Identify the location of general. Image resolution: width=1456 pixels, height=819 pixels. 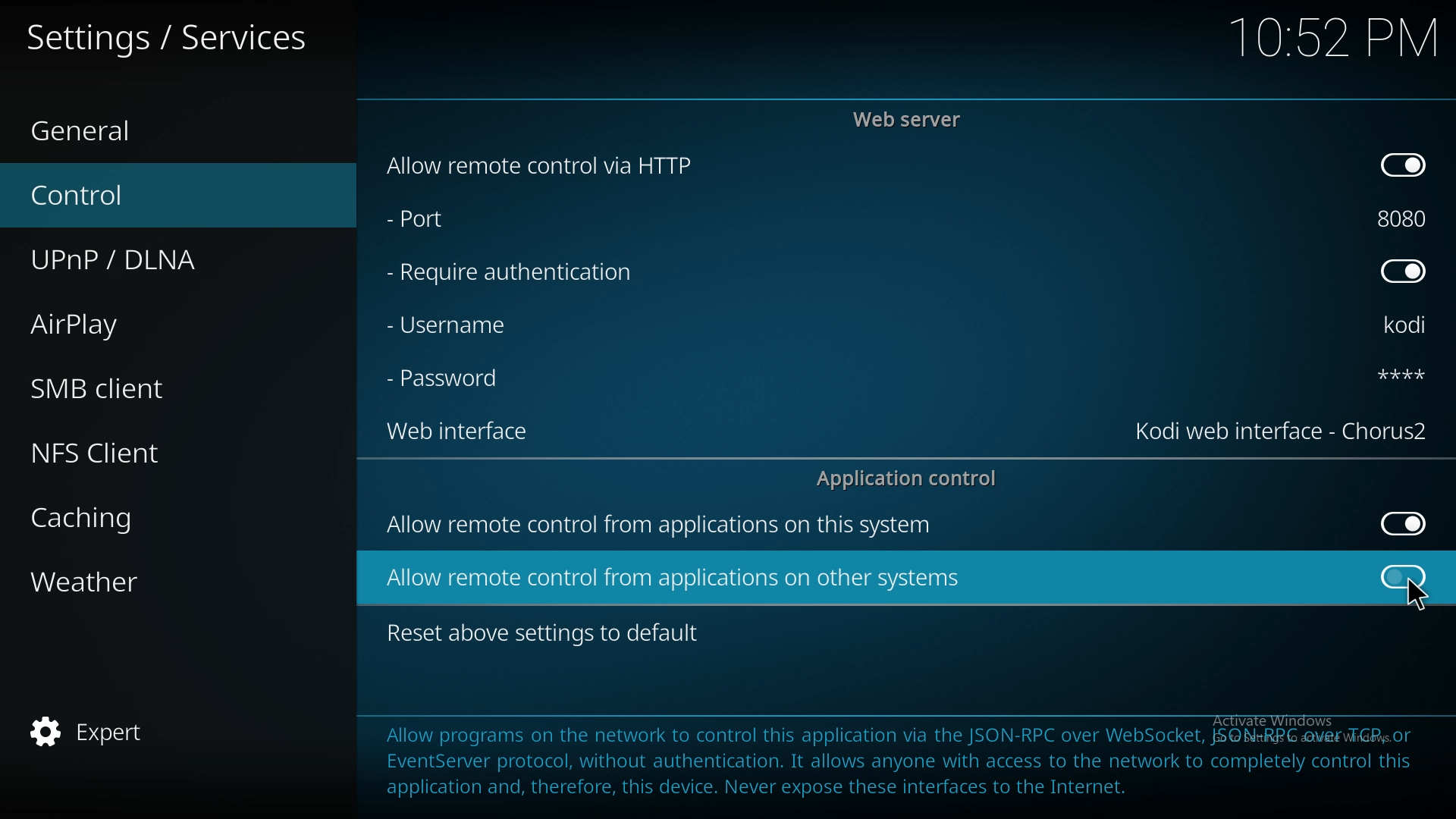
(160, 132).